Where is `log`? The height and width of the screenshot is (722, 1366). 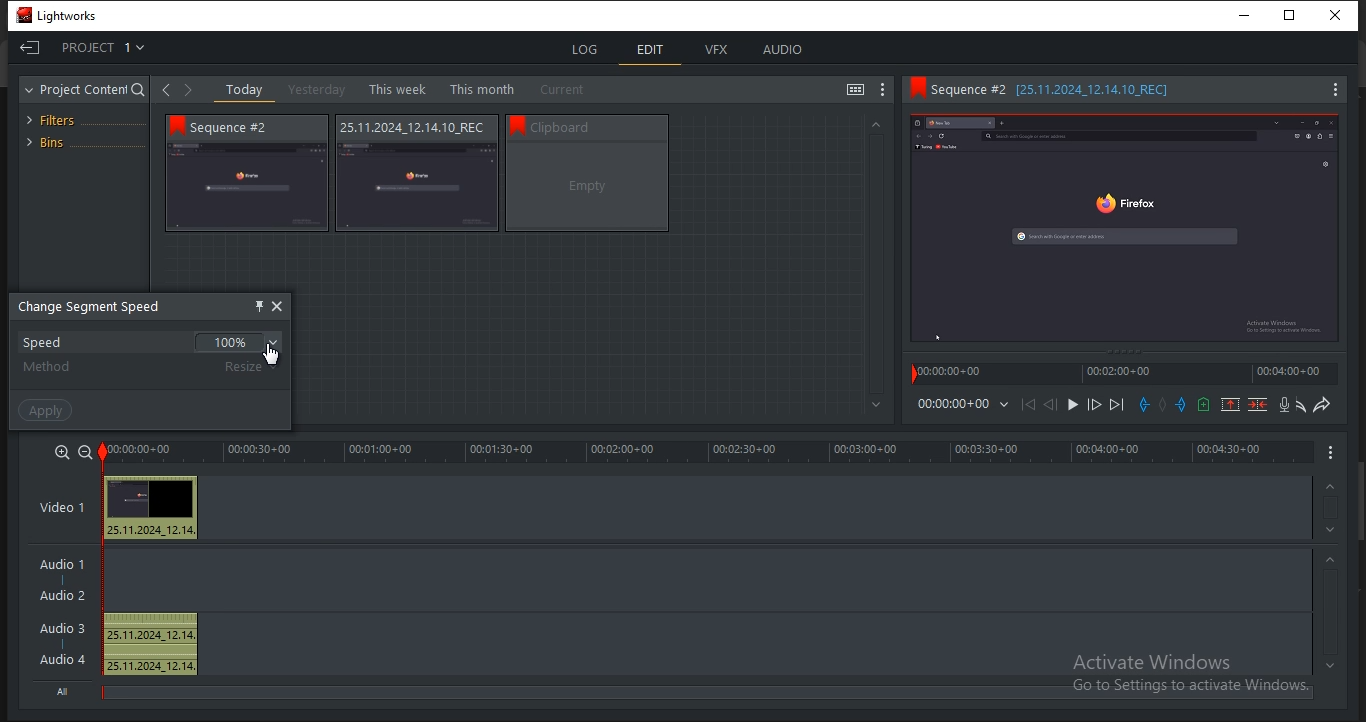
log is located at coordinates (588, 48).